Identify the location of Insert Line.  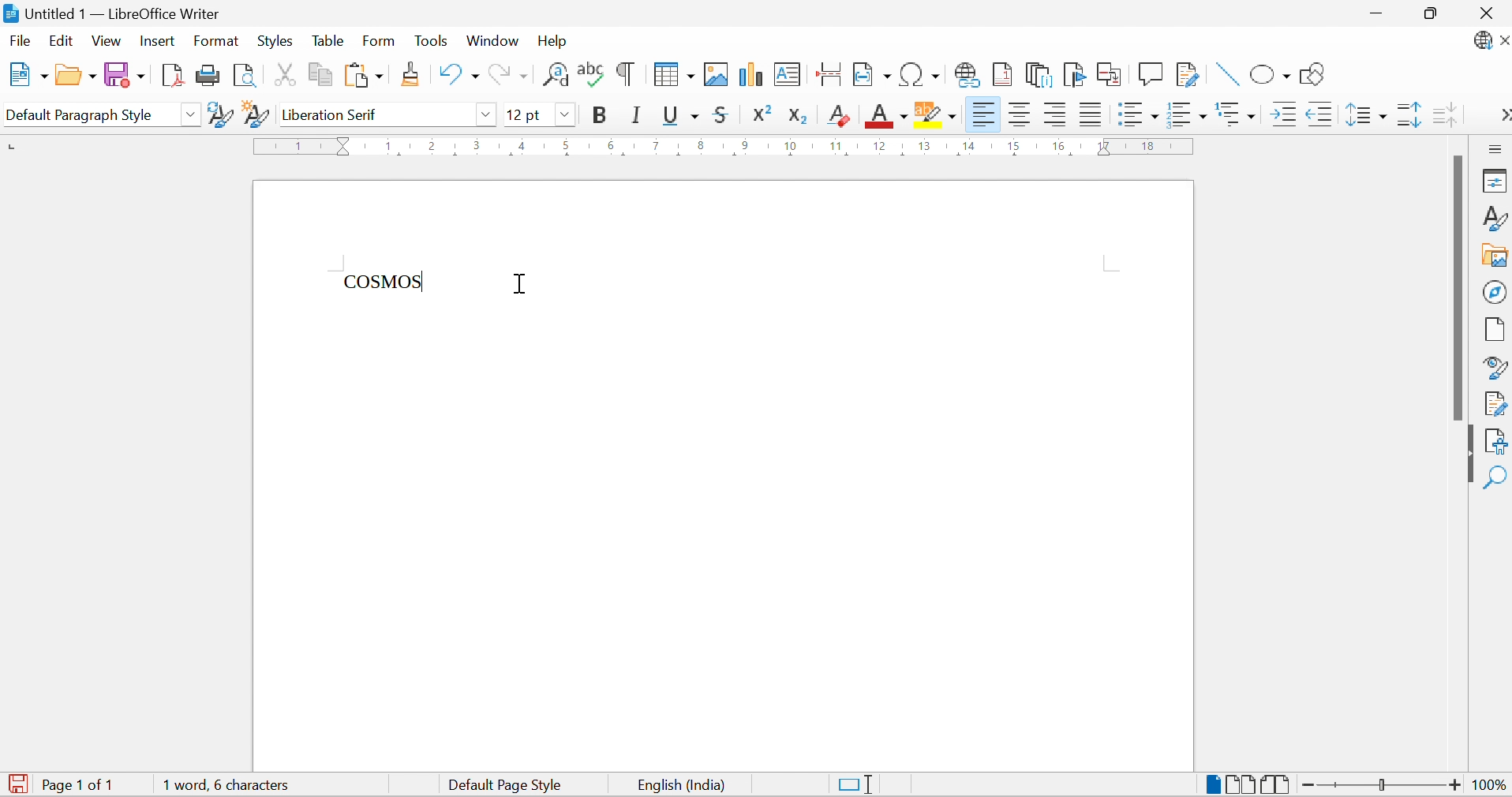
(1224, 75).